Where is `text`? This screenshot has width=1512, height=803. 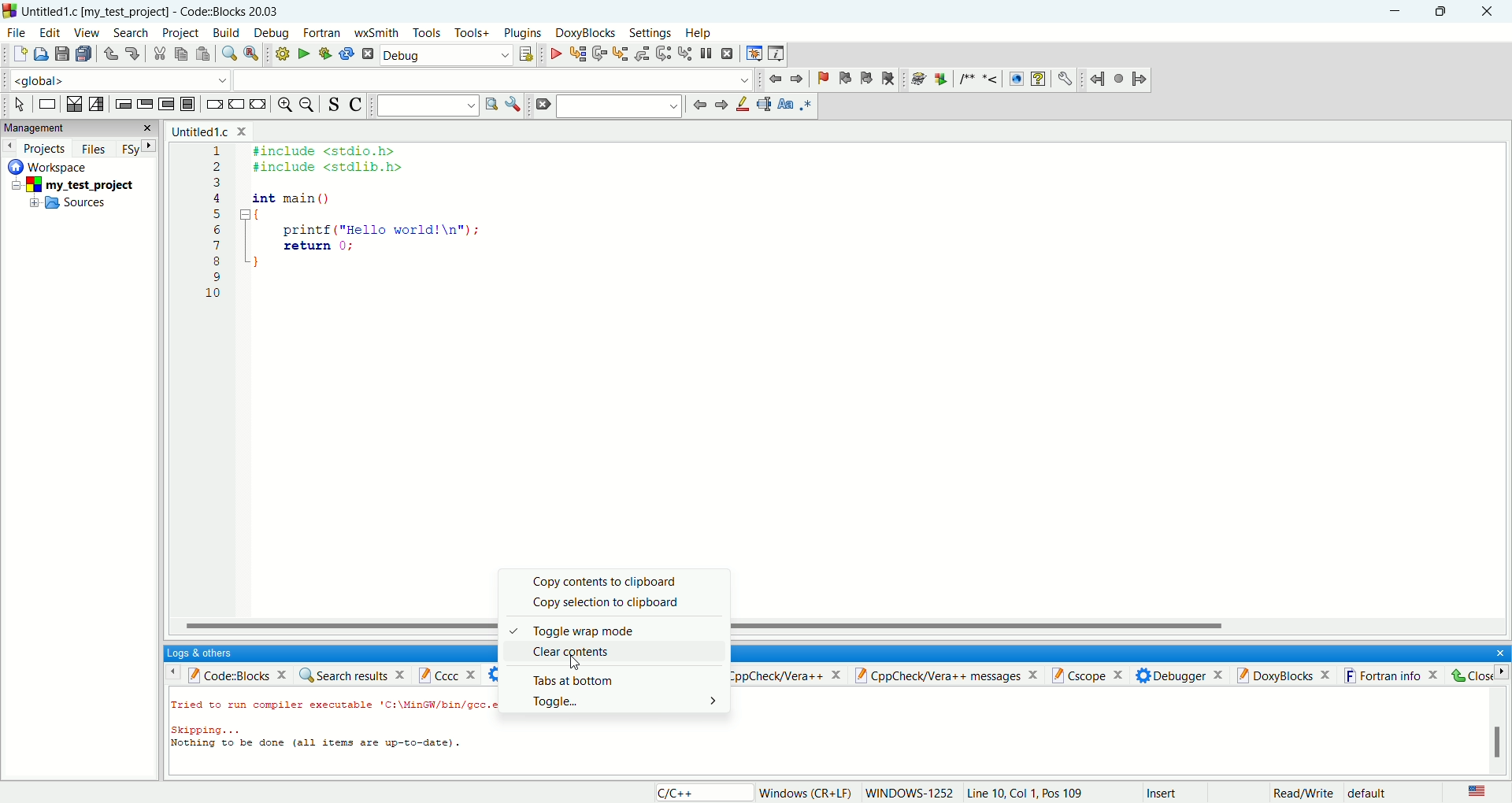
text is located at coordinates (334, 734).